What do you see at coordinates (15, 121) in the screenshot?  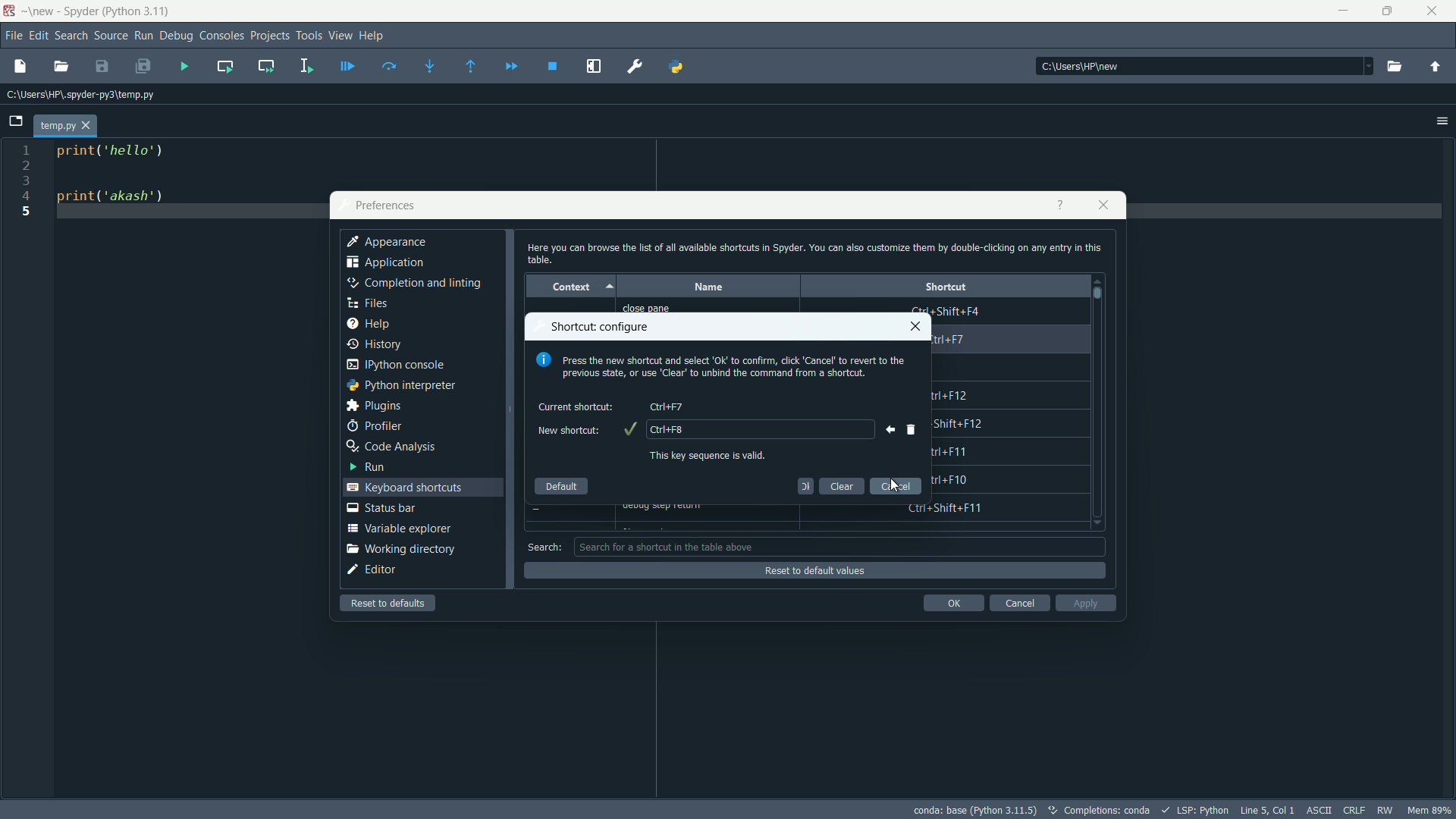 I see `browse tabs` at bounding box center [15, 121].